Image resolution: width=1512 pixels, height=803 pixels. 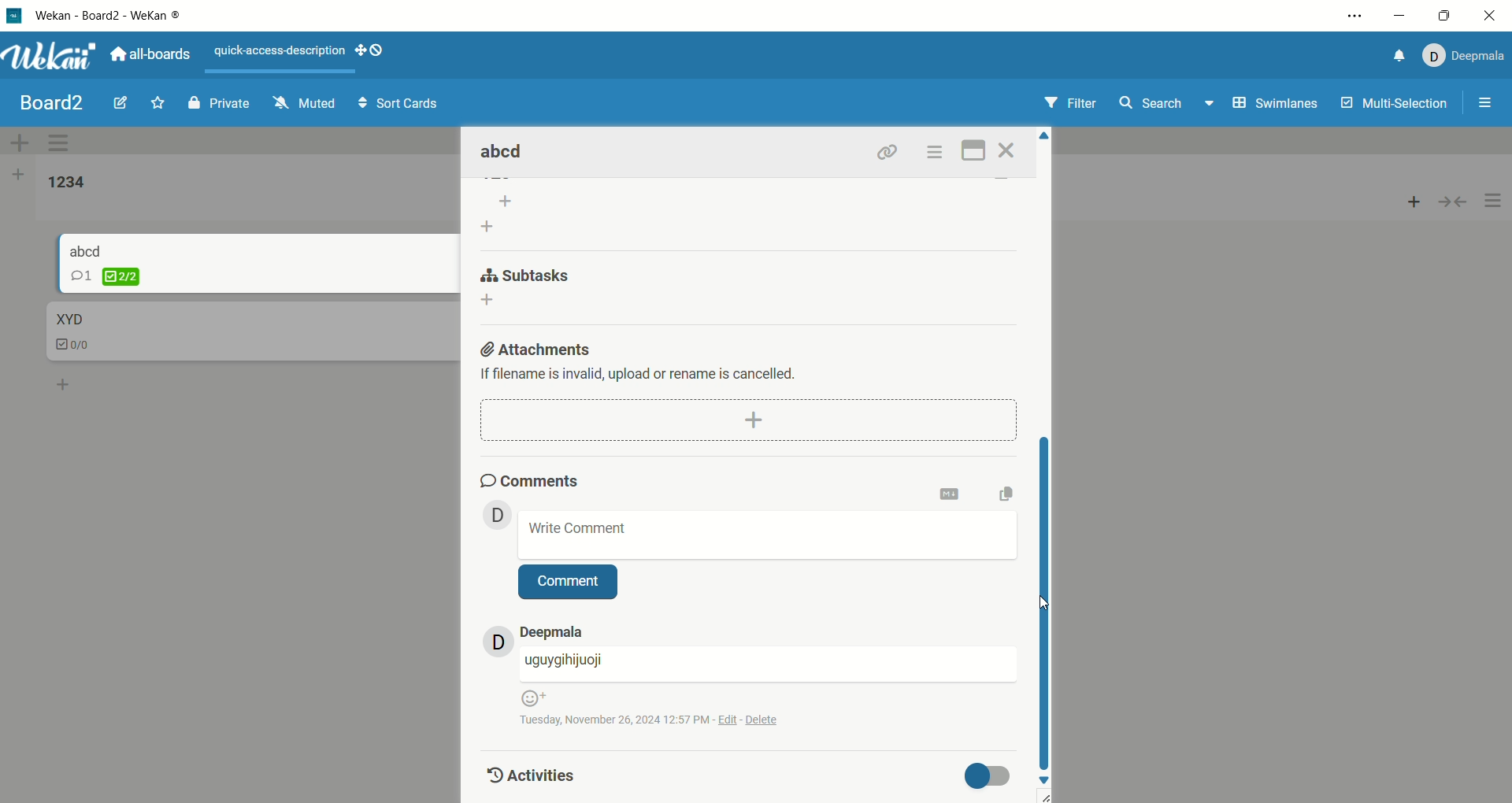 I want to click on account, so click(x=552, y=632).